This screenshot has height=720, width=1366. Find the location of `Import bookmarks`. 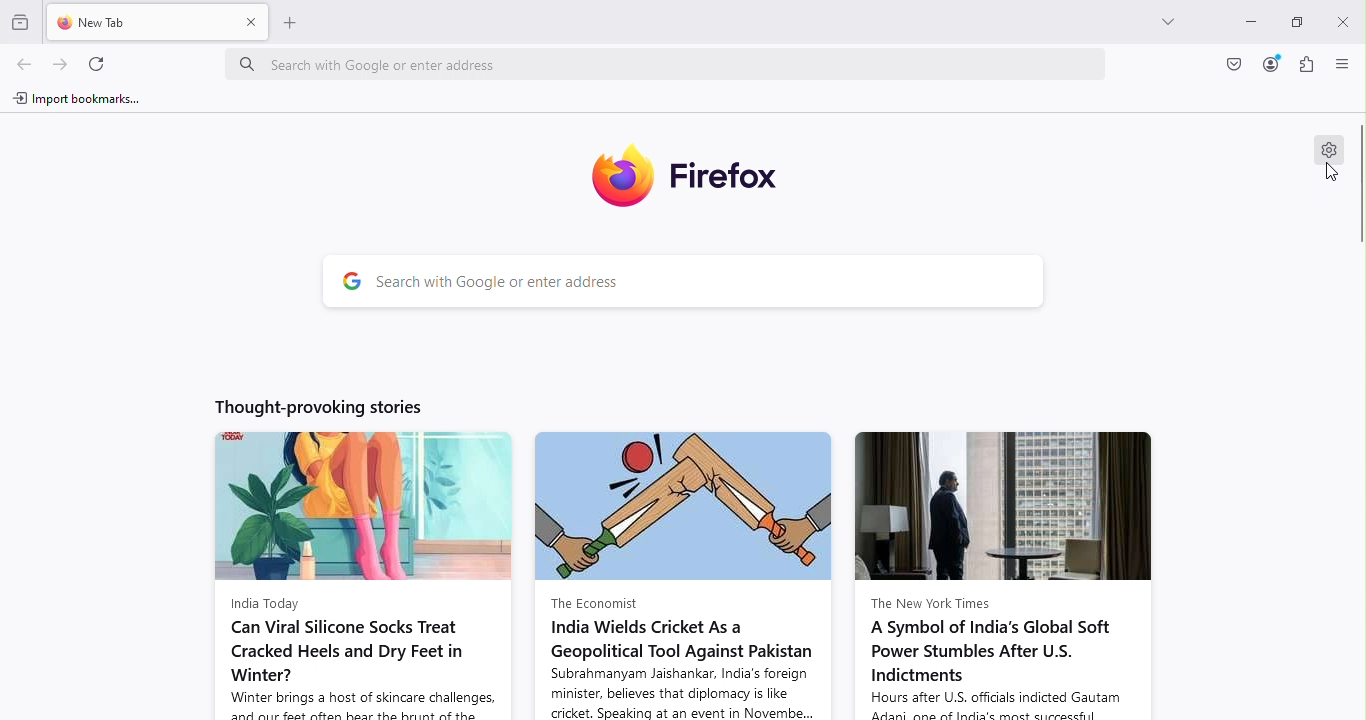

Import bookmarks is located at coordinates (85, 99).